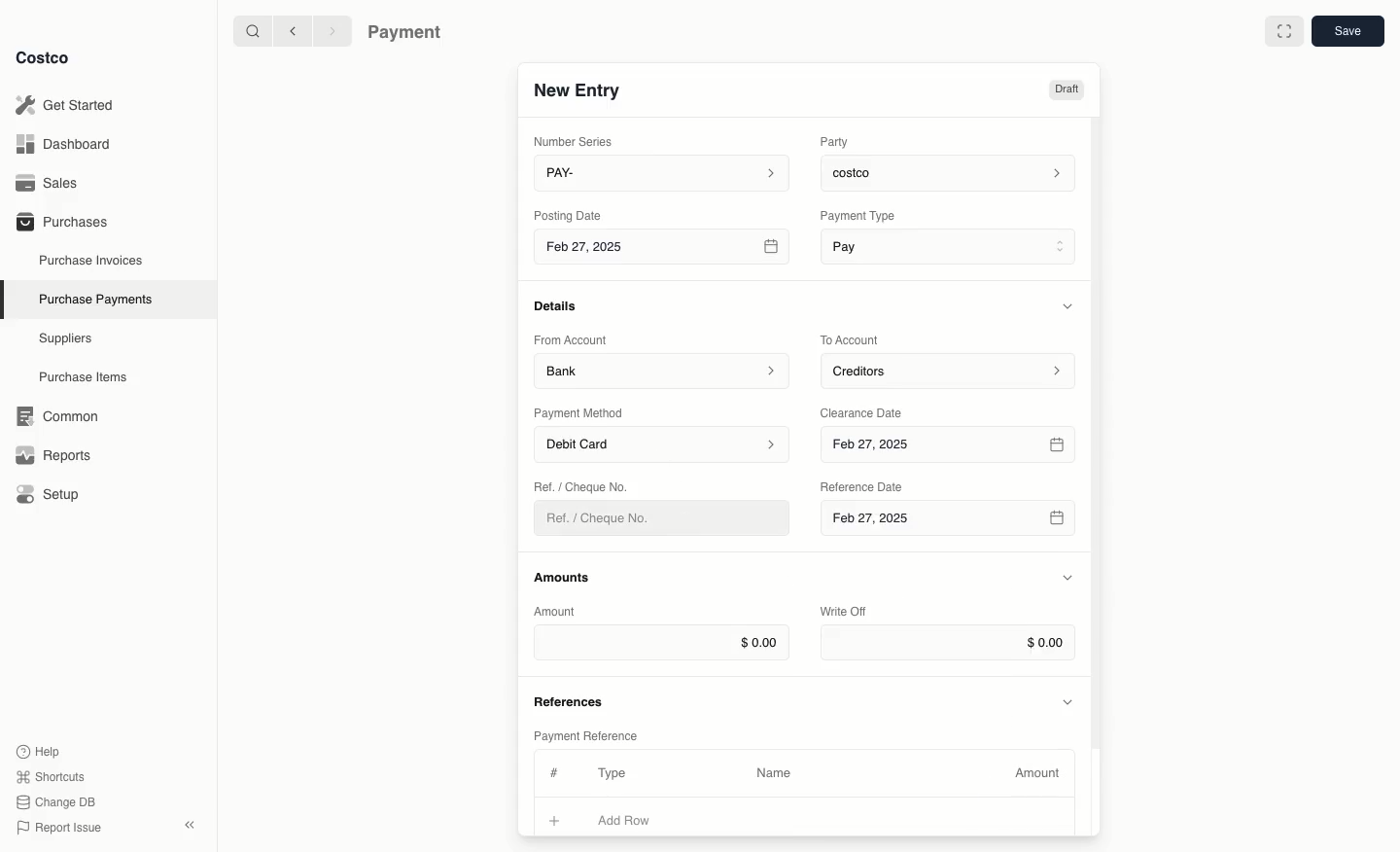 The width and height of the screenshot is (1400, 852). What do you see at coordinates (663, 445) in the screenshot?
I see `Debit Card` at bounding box center [663, 445].